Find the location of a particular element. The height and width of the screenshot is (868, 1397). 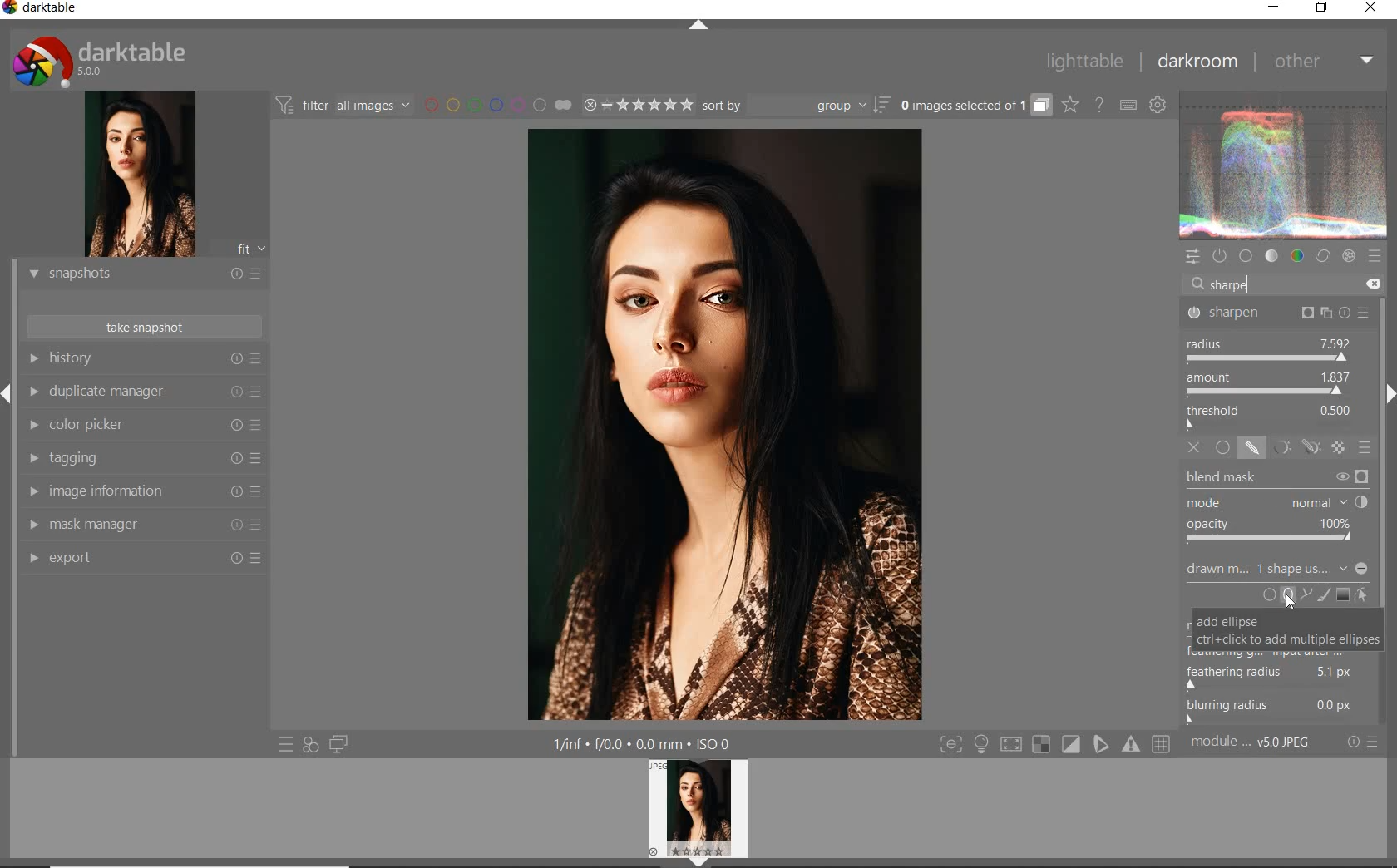

OPACITY is located at coordinates (1275, 531).